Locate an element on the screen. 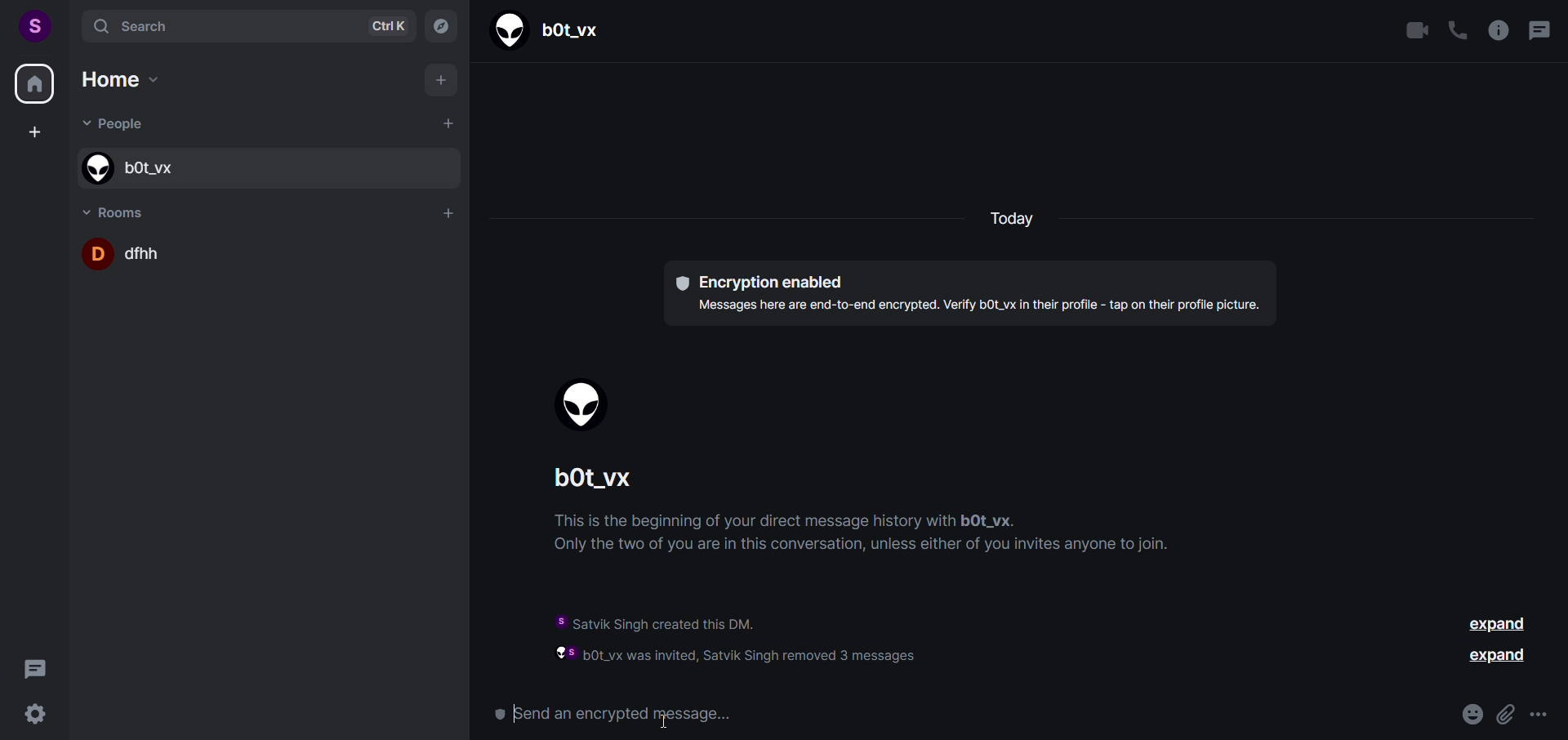 The height and width of the screenshot is (740, 1568). cursor is located at coordinates (666, 720).